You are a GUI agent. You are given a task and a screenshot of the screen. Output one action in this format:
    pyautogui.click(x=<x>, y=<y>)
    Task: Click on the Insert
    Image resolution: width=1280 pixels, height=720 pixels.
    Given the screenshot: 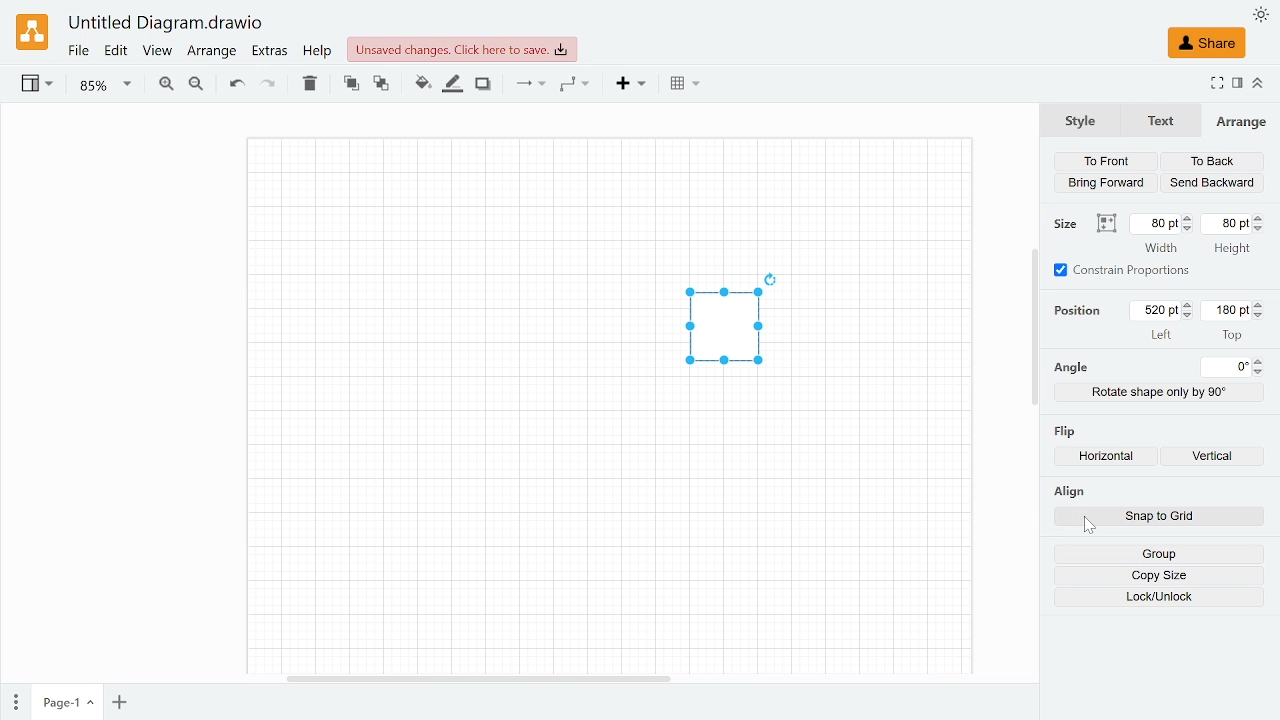 What is the action you would take?
    pyautogui.click(x=633, y=85)
    